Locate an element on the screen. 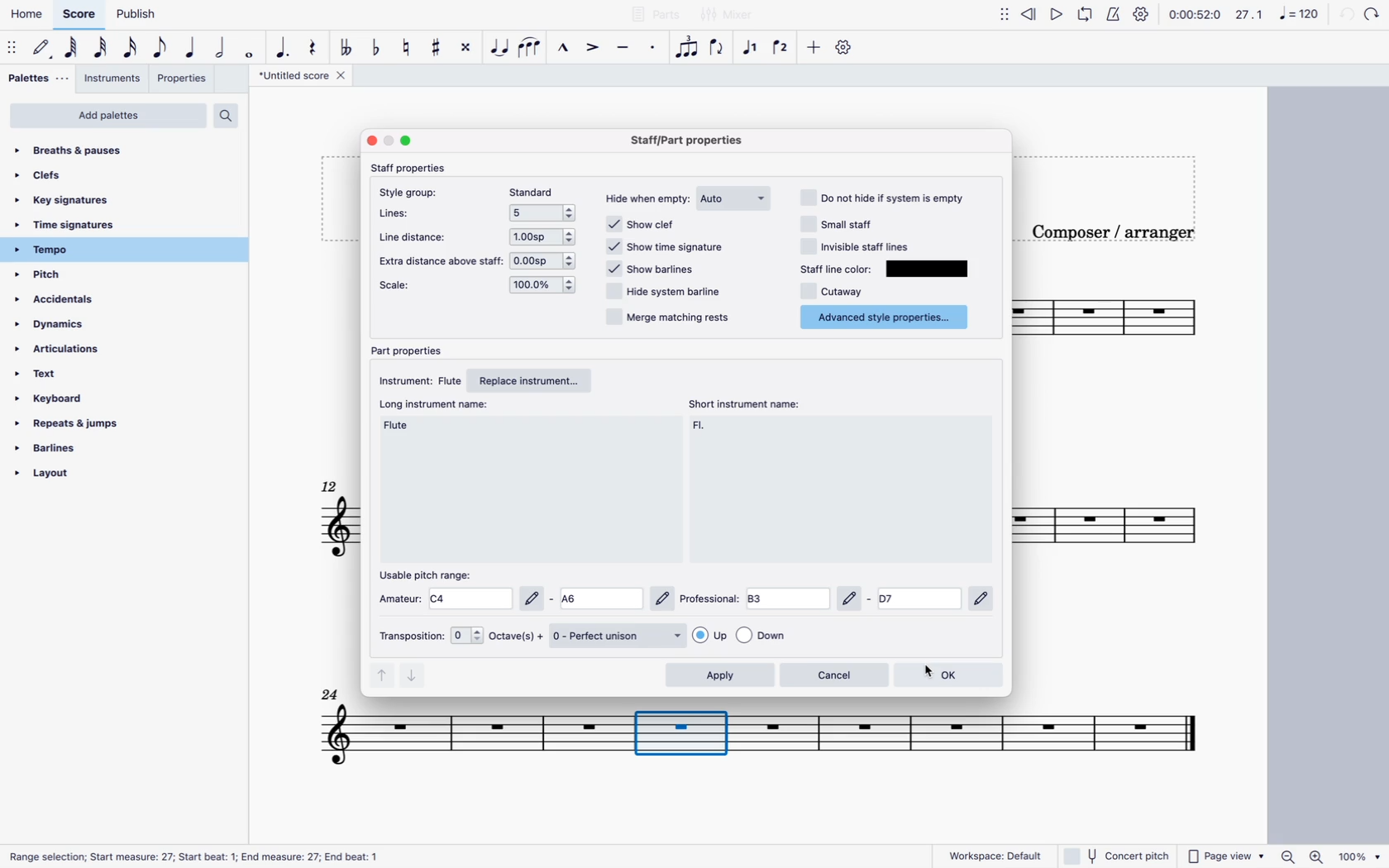  voice 1 is located at coordinates (752, 46).